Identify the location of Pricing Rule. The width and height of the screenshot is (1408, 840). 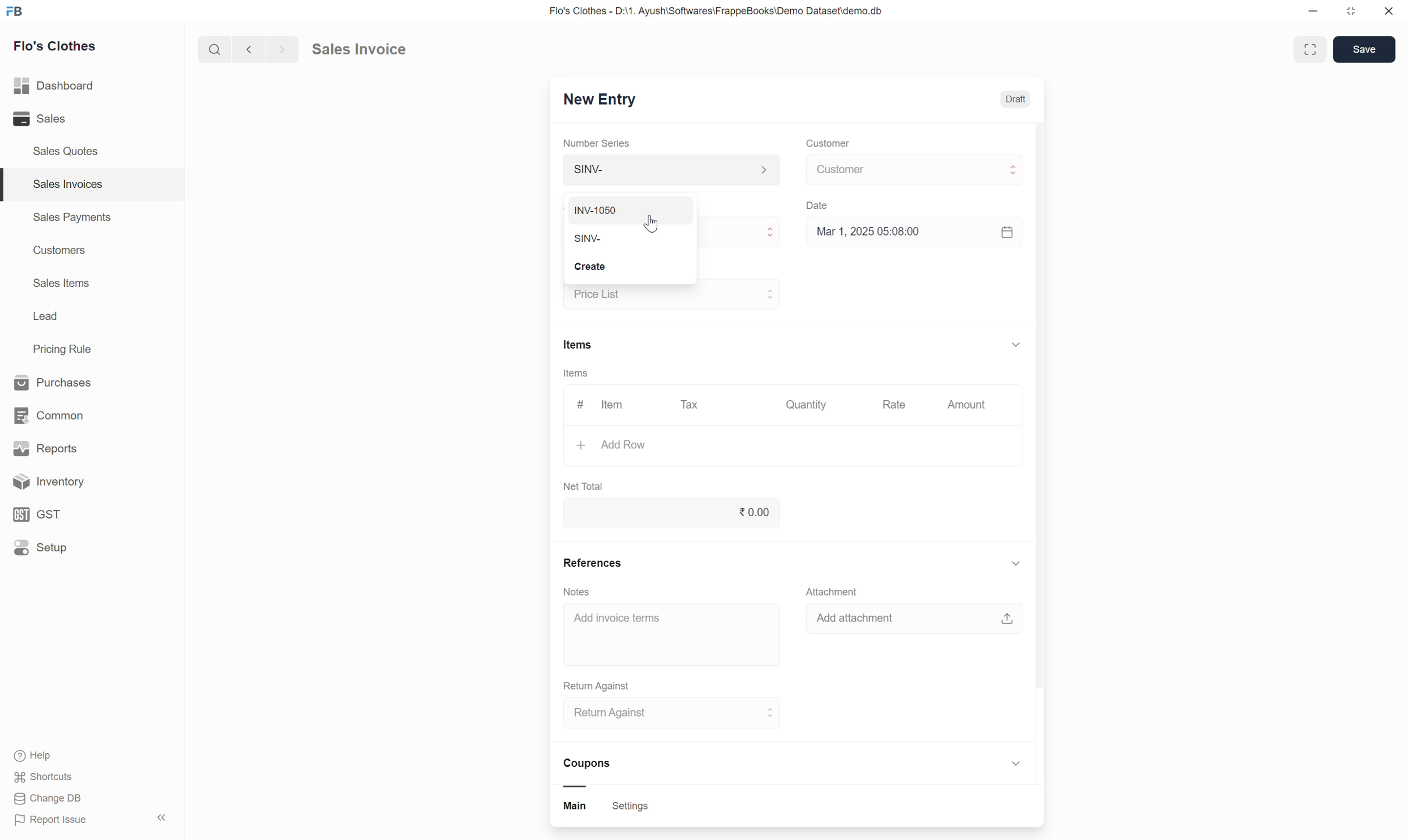
(64, 349).